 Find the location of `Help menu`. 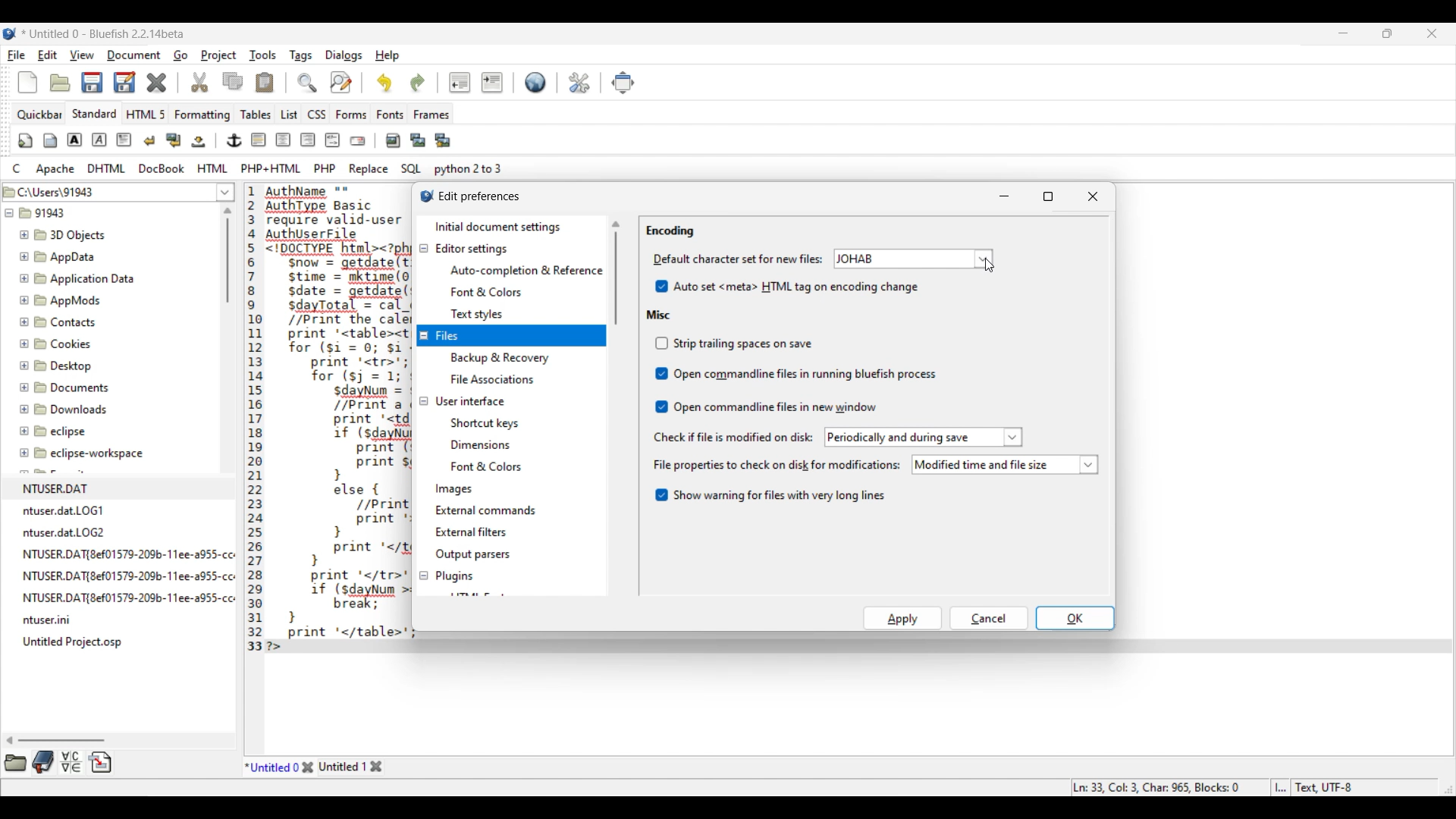

Help menu is located at coordinates (388, 56).